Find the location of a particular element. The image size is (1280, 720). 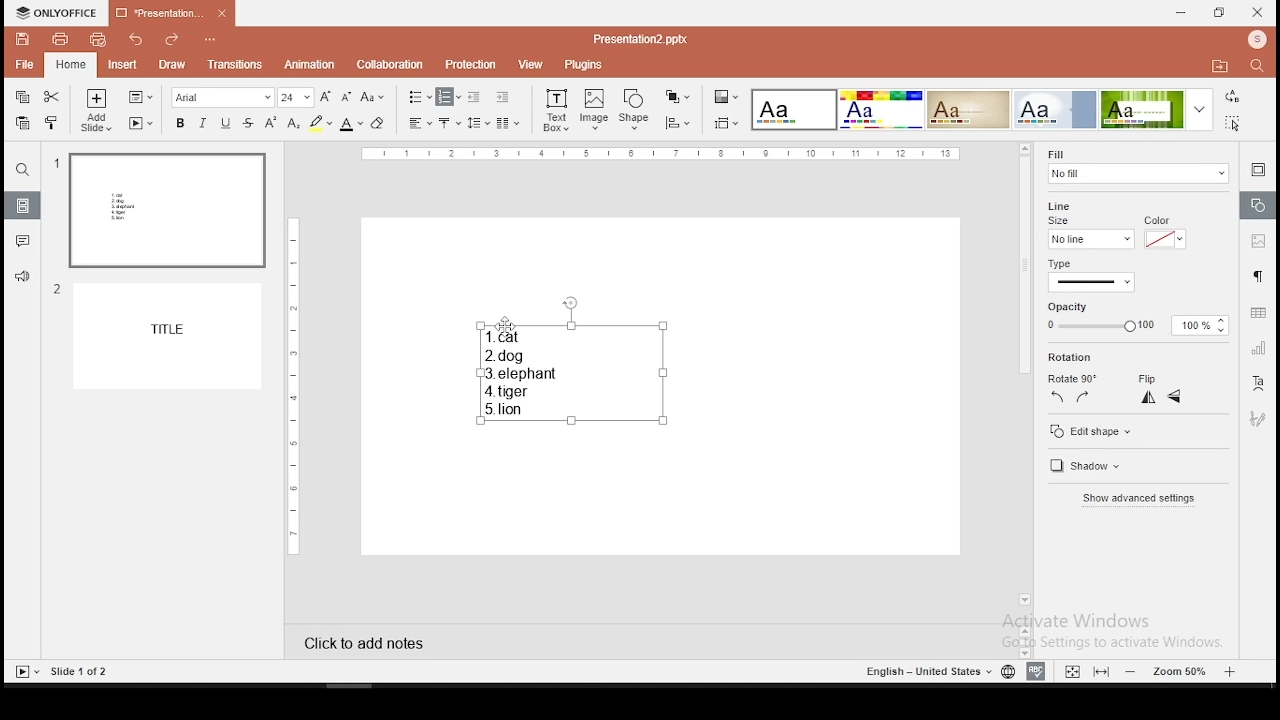

plugins is located at coordinates (585, 65).